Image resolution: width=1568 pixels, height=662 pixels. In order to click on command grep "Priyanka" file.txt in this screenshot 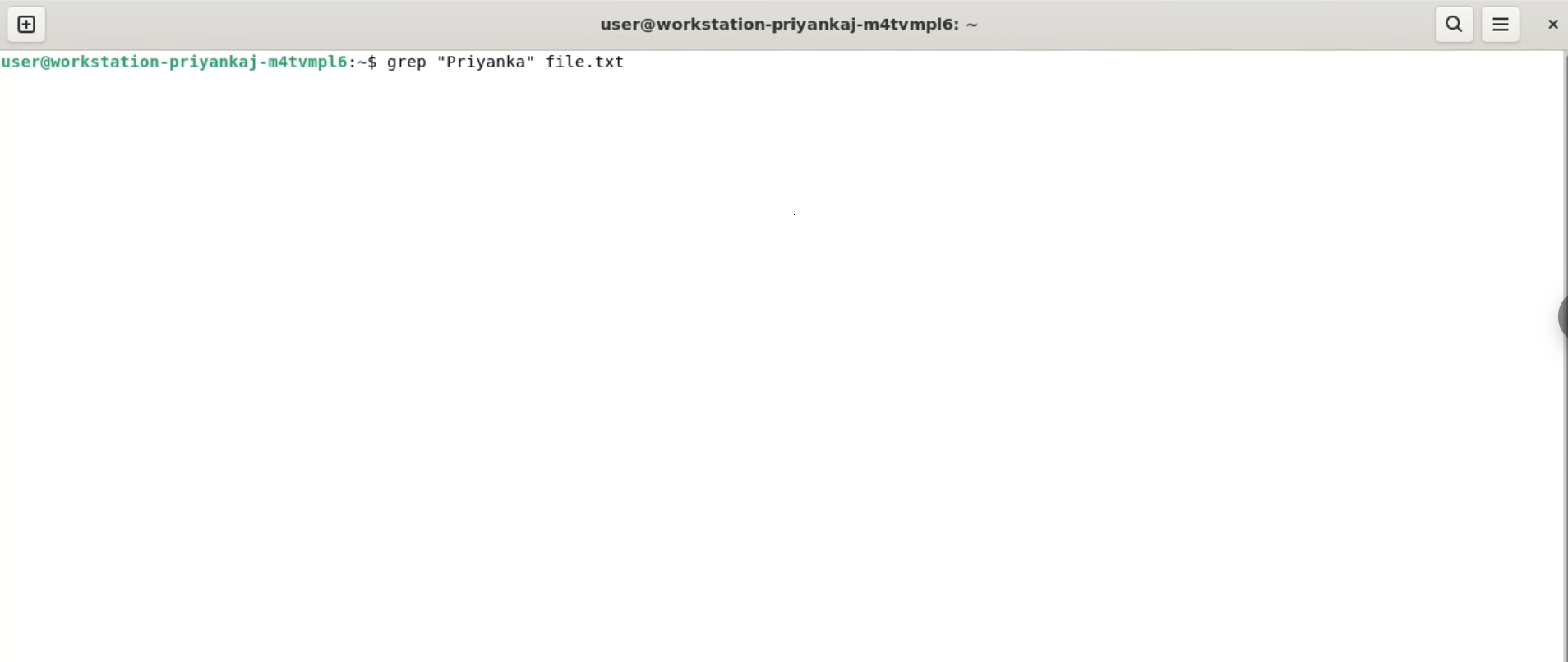, I will do `click(519, 65)`.